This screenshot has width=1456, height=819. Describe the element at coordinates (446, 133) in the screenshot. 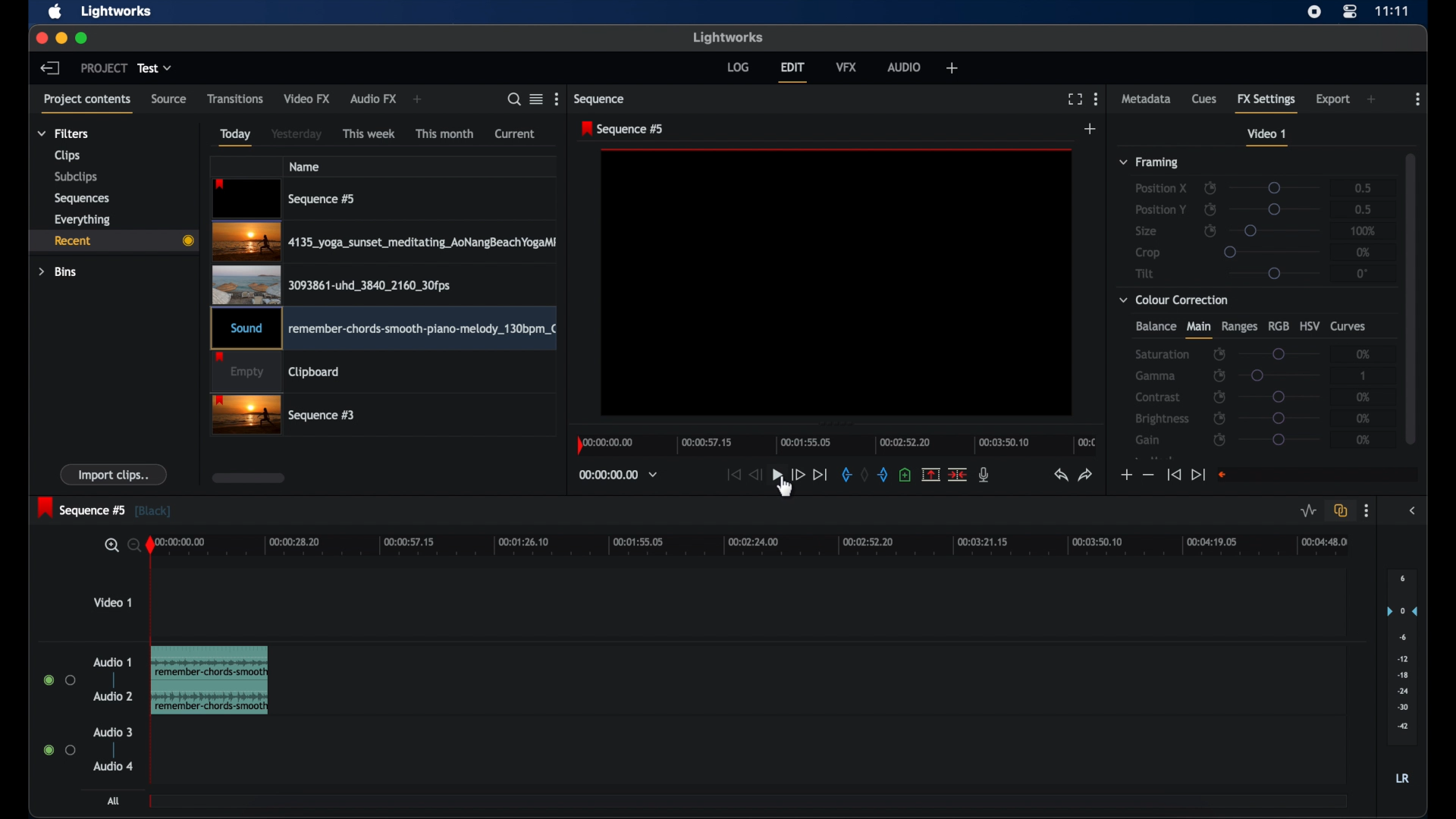

I see `this month` at that location.